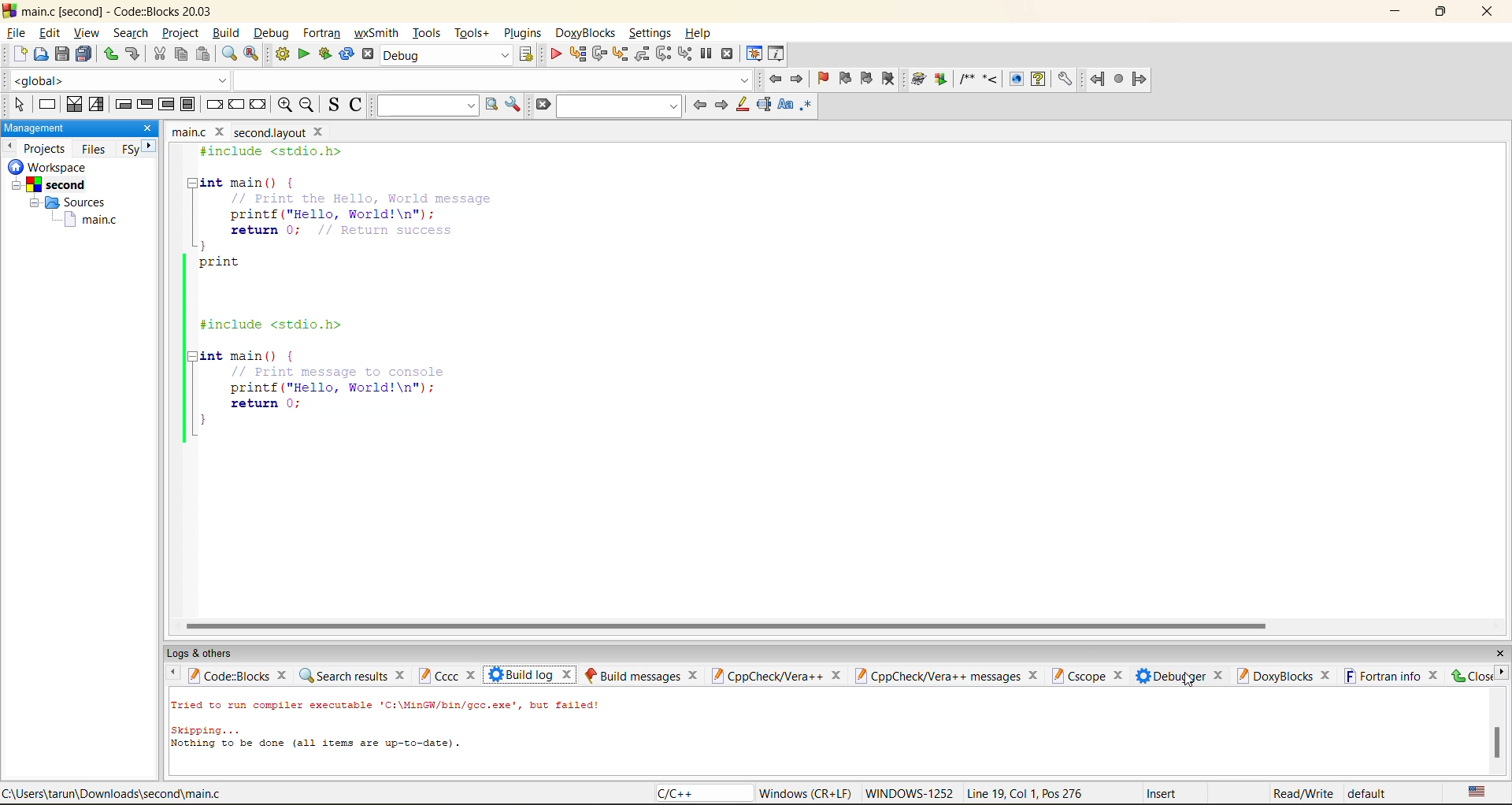  What do you see at coordinates (47, 147) in the screenshot?
I see `projects` at bounding box center [47, 147].